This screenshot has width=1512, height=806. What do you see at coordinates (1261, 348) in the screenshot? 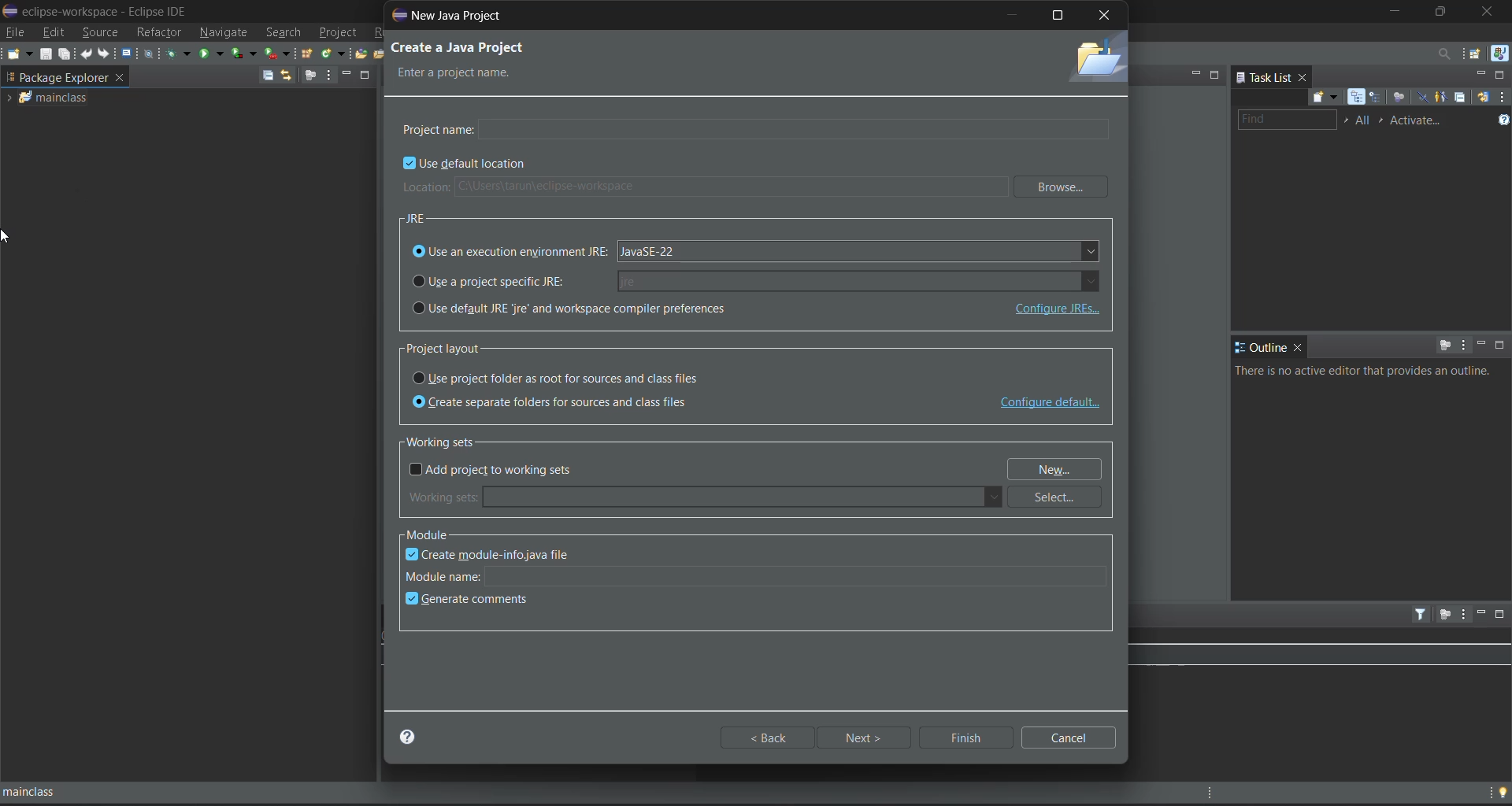
I see `outline` at bounding box center [1261, 348].